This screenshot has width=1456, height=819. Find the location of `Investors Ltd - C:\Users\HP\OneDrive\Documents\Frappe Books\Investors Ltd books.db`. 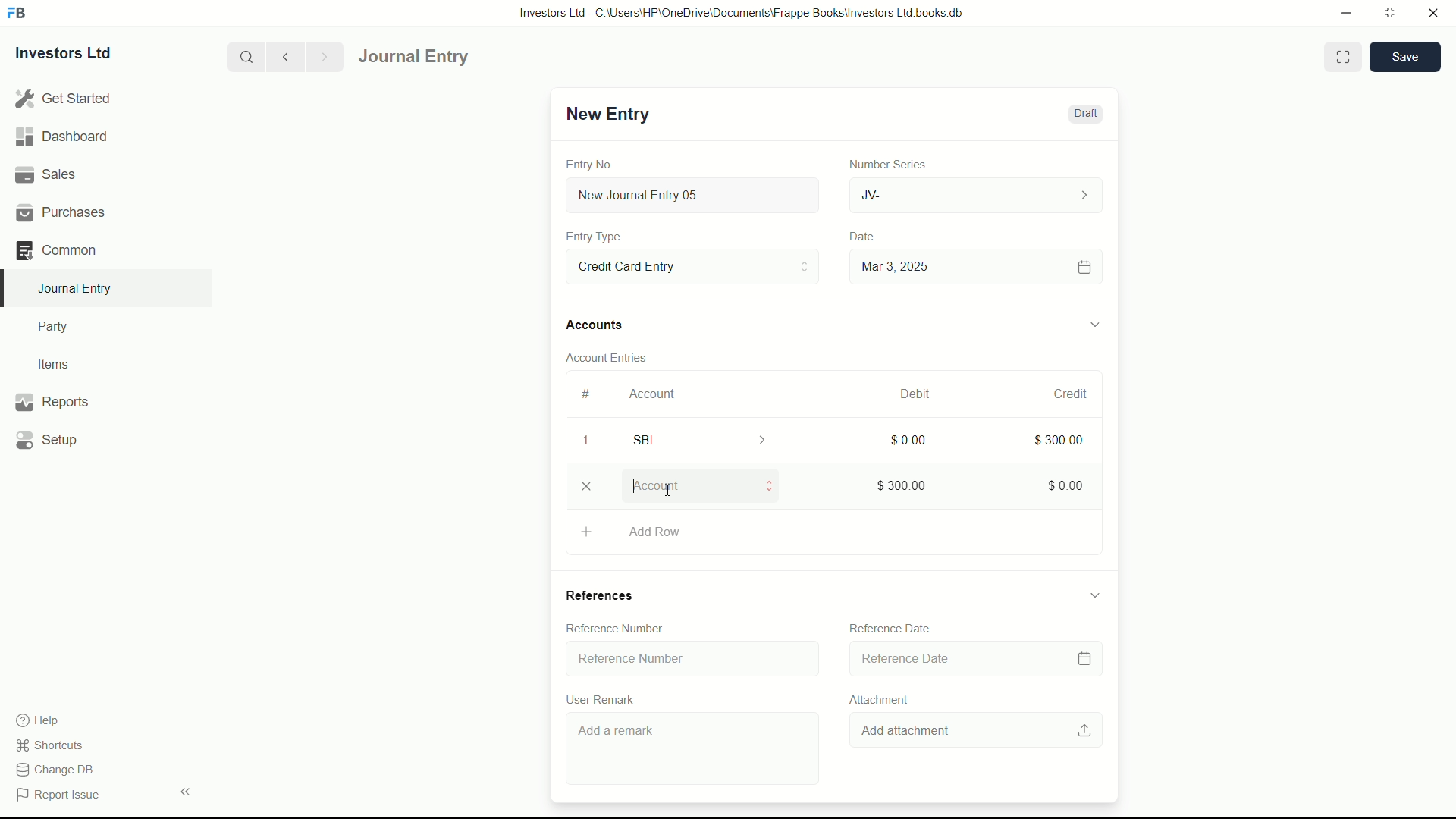

Investors Ltd - C:\Users\HP\OneDrive\Documents\Frappe Books\Investors Ltd books.db is located at coordinates (743, 12).